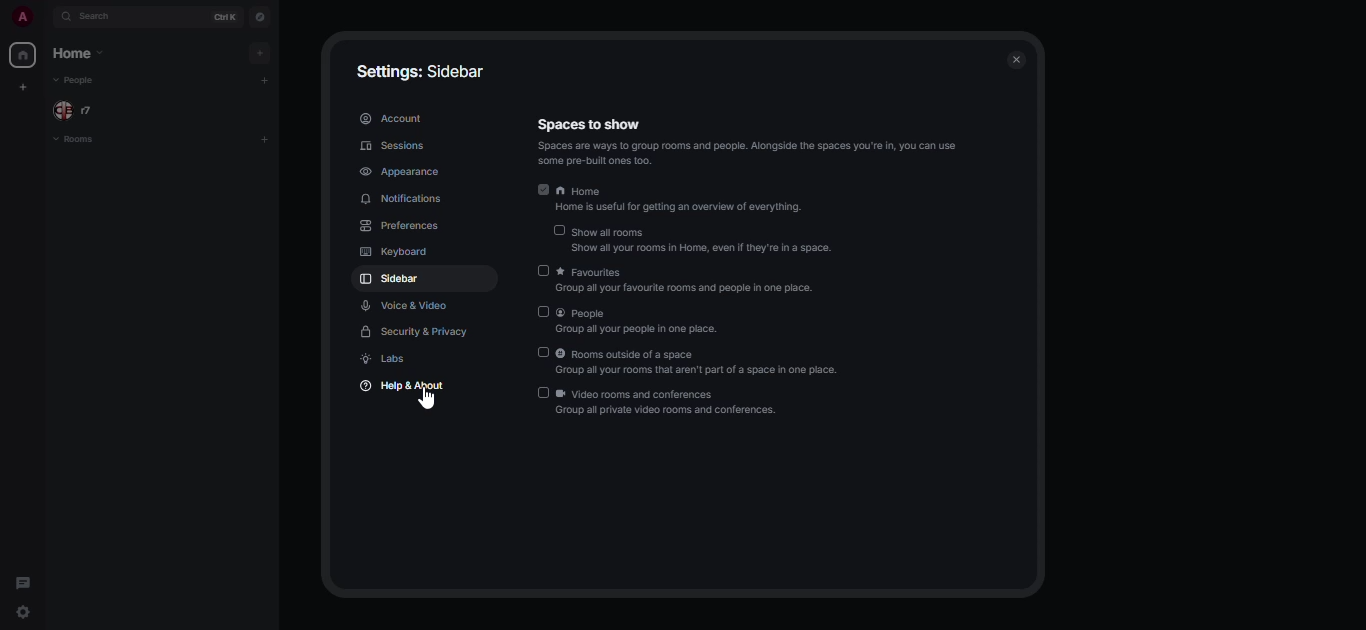 The image size is (1366, 630). I want to click on cursor, so click(427, 400).